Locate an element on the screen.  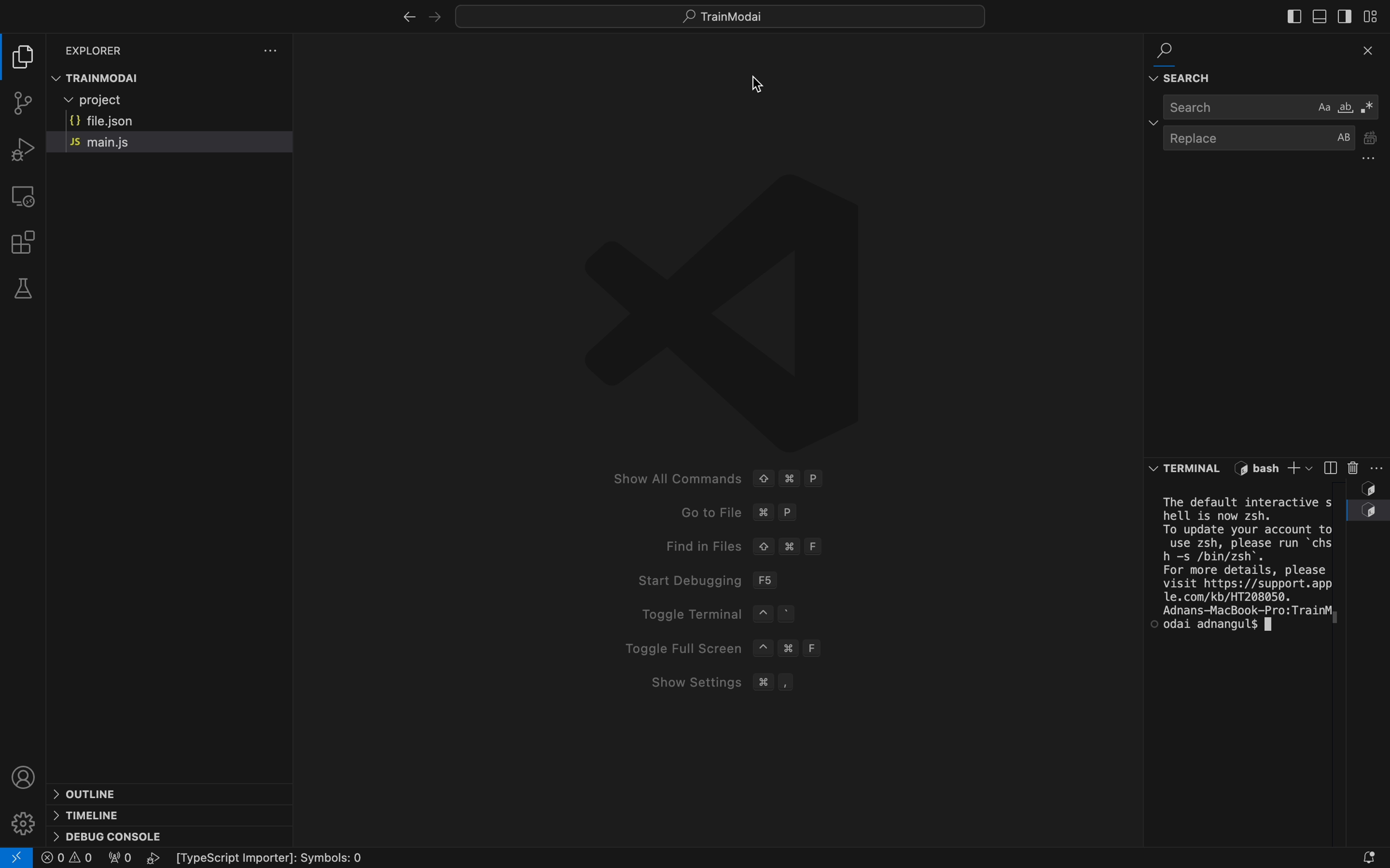
Toggle full Screen is located at coordinates (737, 648).